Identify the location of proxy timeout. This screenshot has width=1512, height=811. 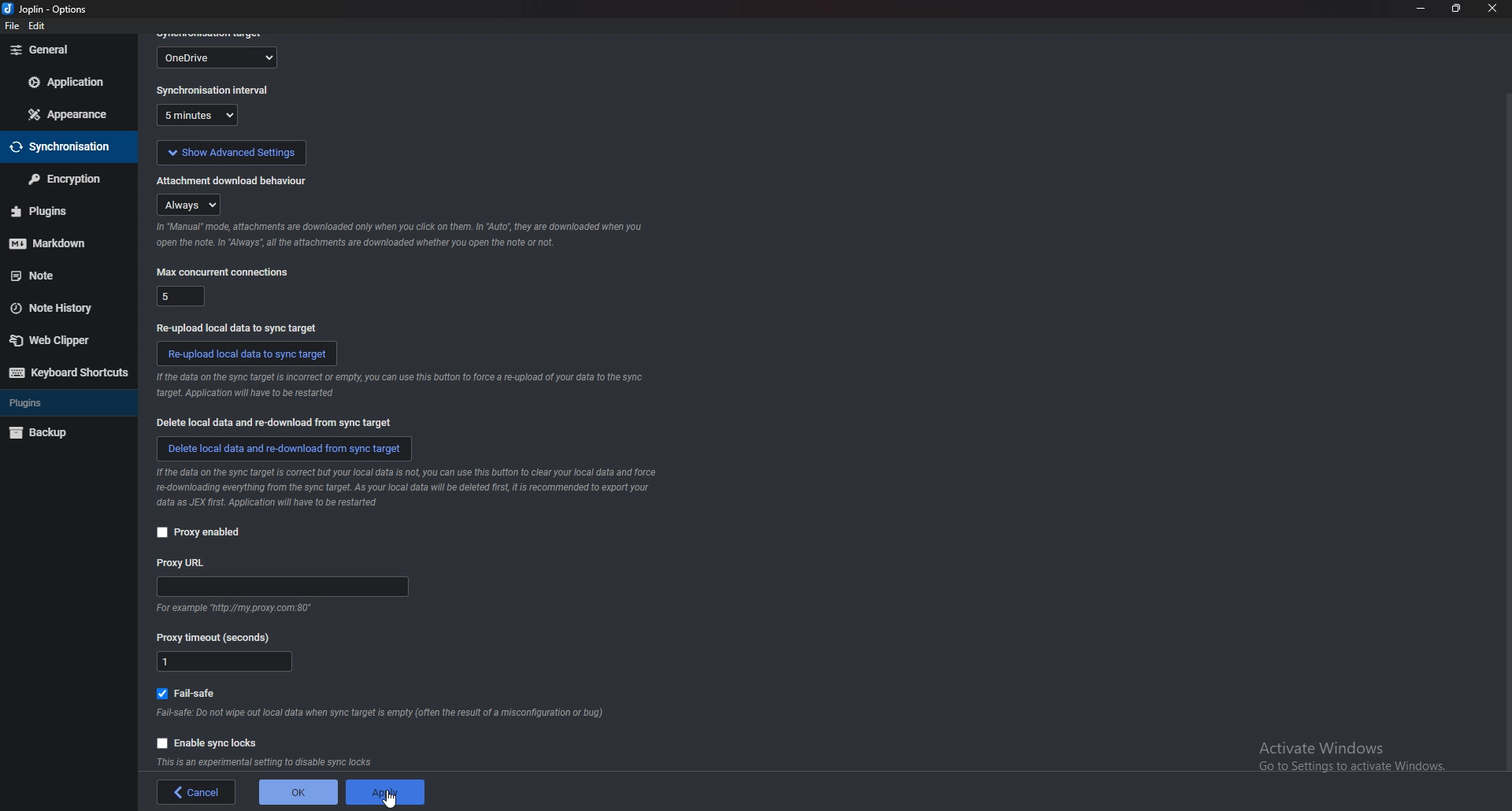
(220, 637).